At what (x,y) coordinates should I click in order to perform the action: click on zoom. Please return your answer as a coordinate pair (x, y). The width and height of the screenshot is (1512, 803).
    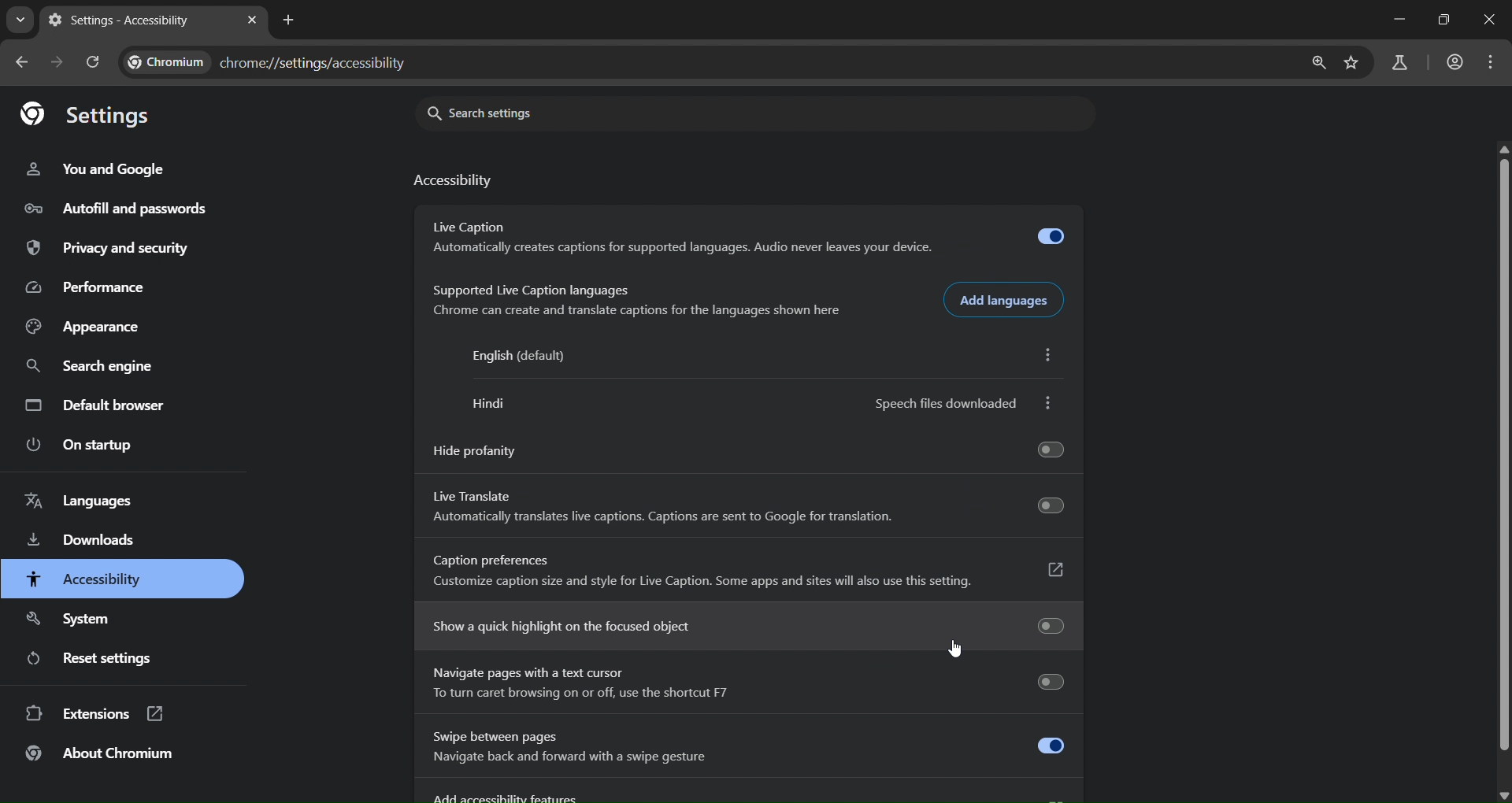
    Looking at the image, I should click on (1320, 65).